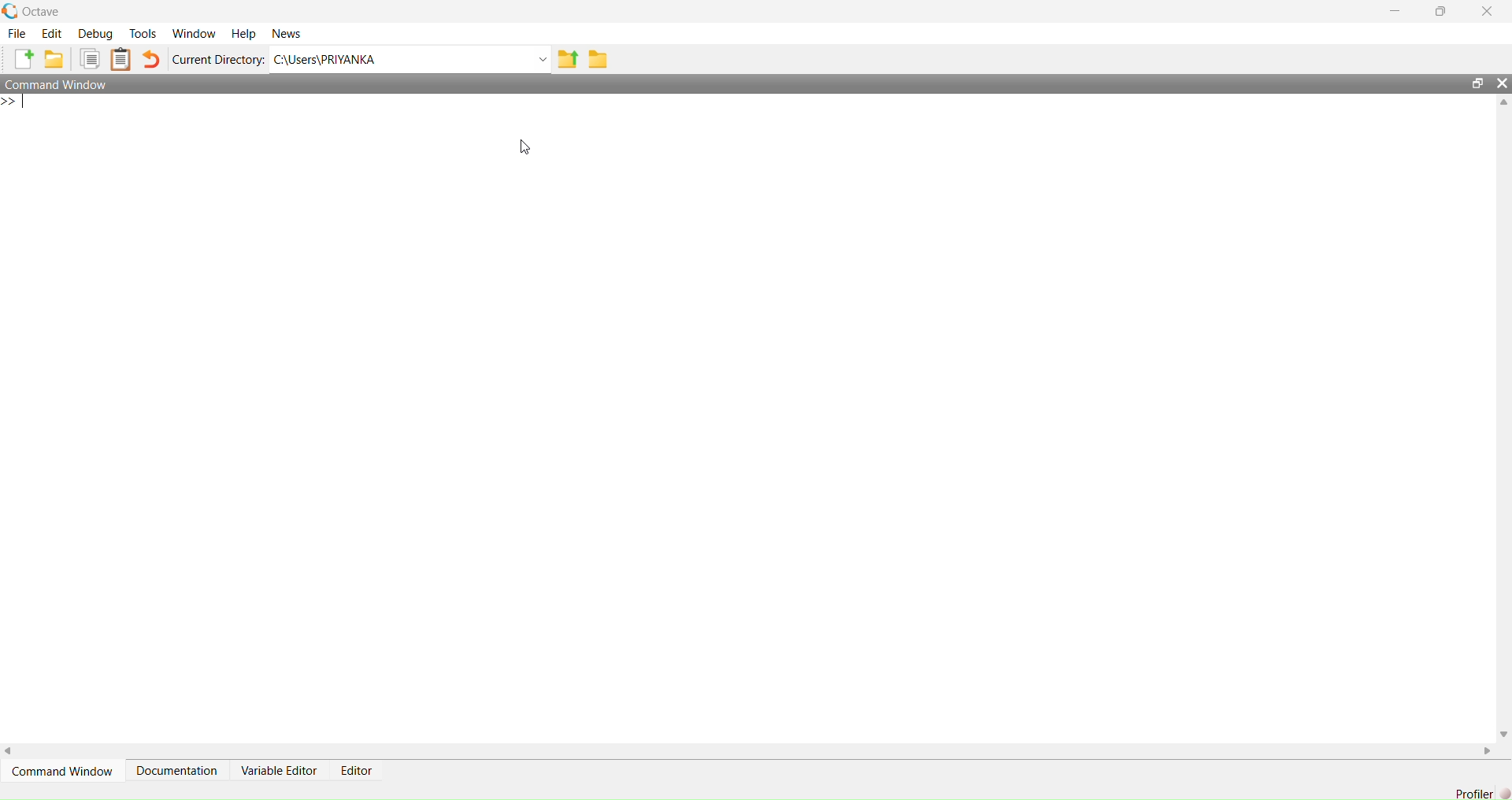 The width and height of the screenshot is (1512, 800). Describe the element at coordinates (61, 85) in the screenshot. I see `Command Window` at that location.